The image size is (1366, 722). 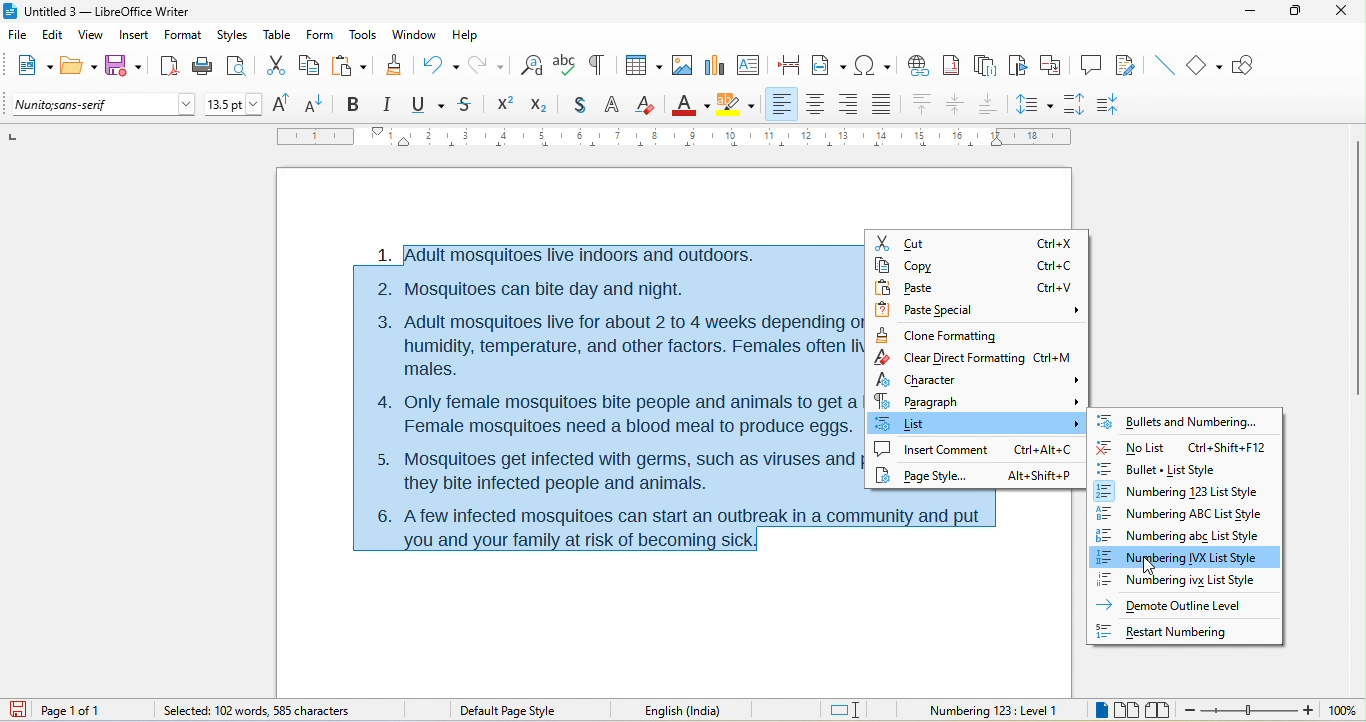 I want to click on bookmark, so click(x=1019, y=66).